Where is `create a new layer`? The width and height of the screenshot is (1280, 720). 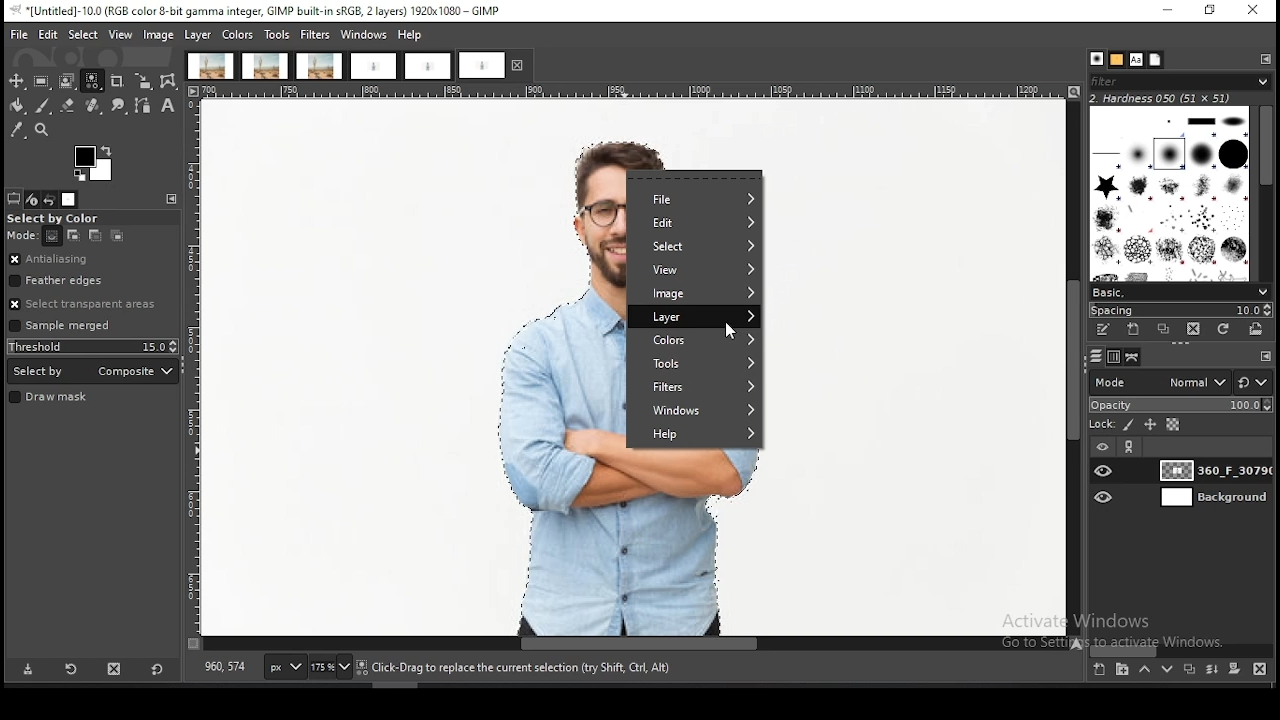 create a new layer is located at coordinates (1100, 668).